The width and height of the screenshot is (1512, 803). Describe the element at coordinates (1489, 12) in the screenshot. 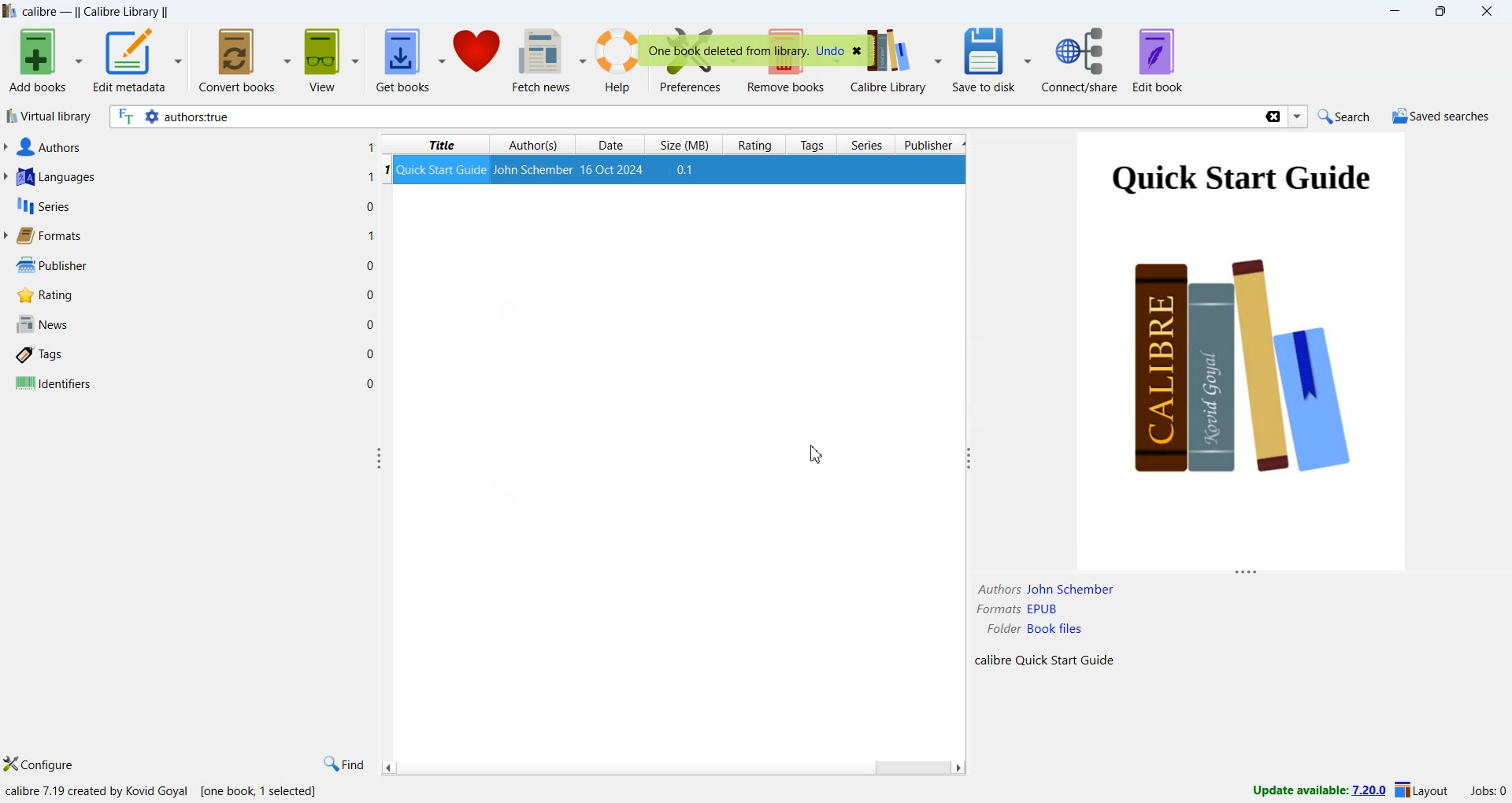

I see `close app` at that location.